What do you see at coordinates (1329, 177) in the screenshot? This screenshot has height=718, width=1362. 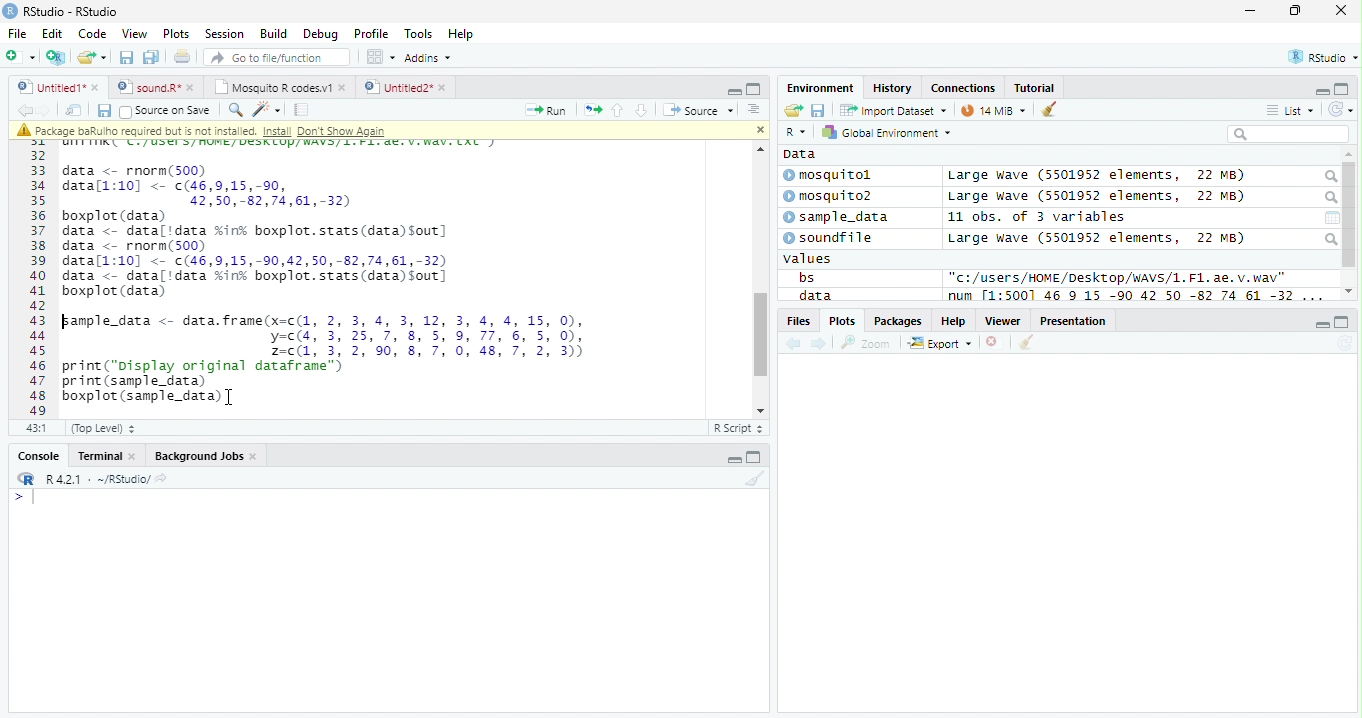 I see `search` at bounding box center [1329, 177].